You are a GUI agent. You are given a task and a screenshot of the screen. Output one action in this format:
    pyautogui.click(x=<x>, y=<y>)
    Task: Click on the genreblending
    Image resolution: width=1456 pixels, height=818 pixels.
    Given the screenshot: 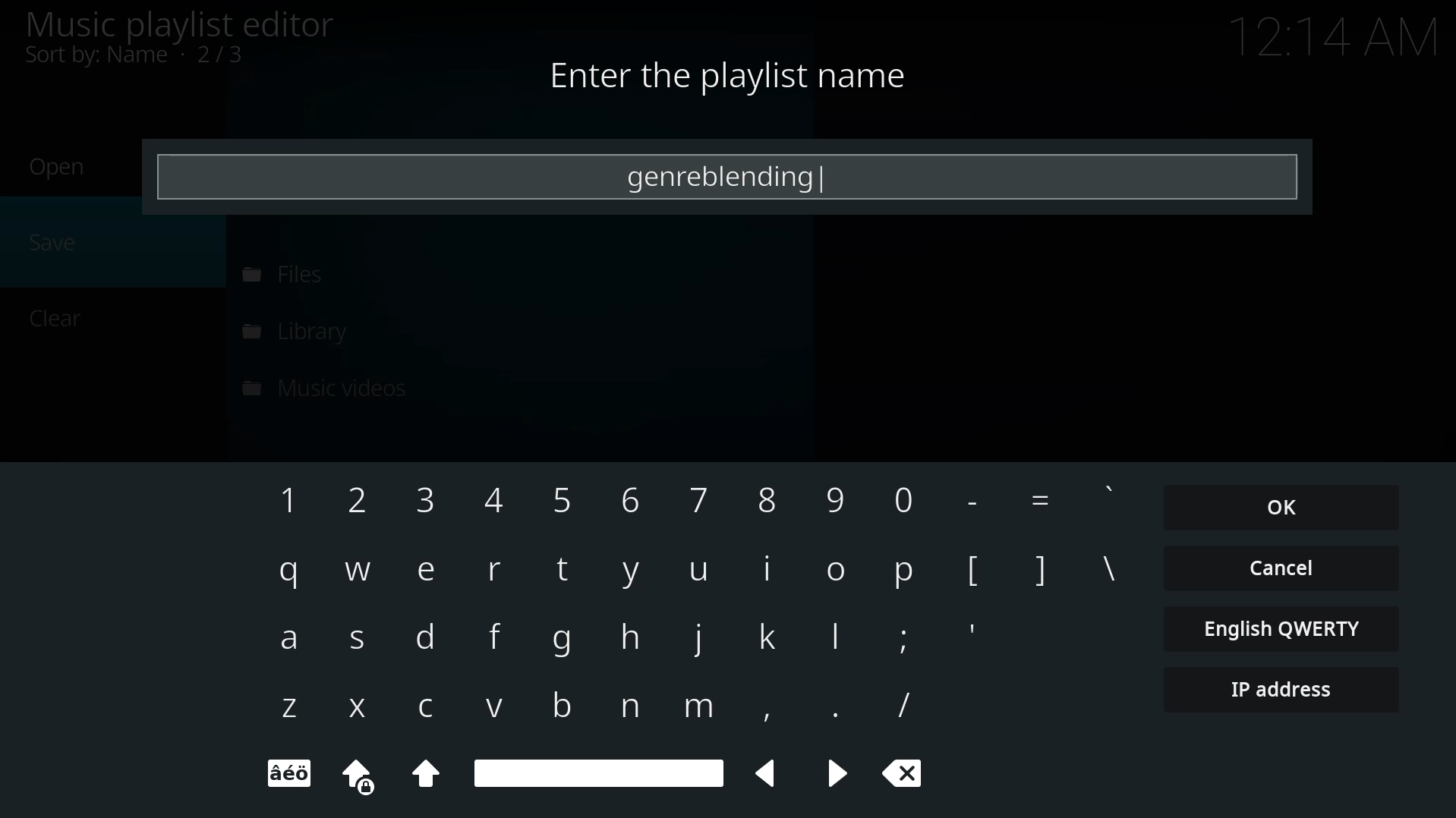 What is the action you would take?
    pyautogui.click(x=719, y=176)
    